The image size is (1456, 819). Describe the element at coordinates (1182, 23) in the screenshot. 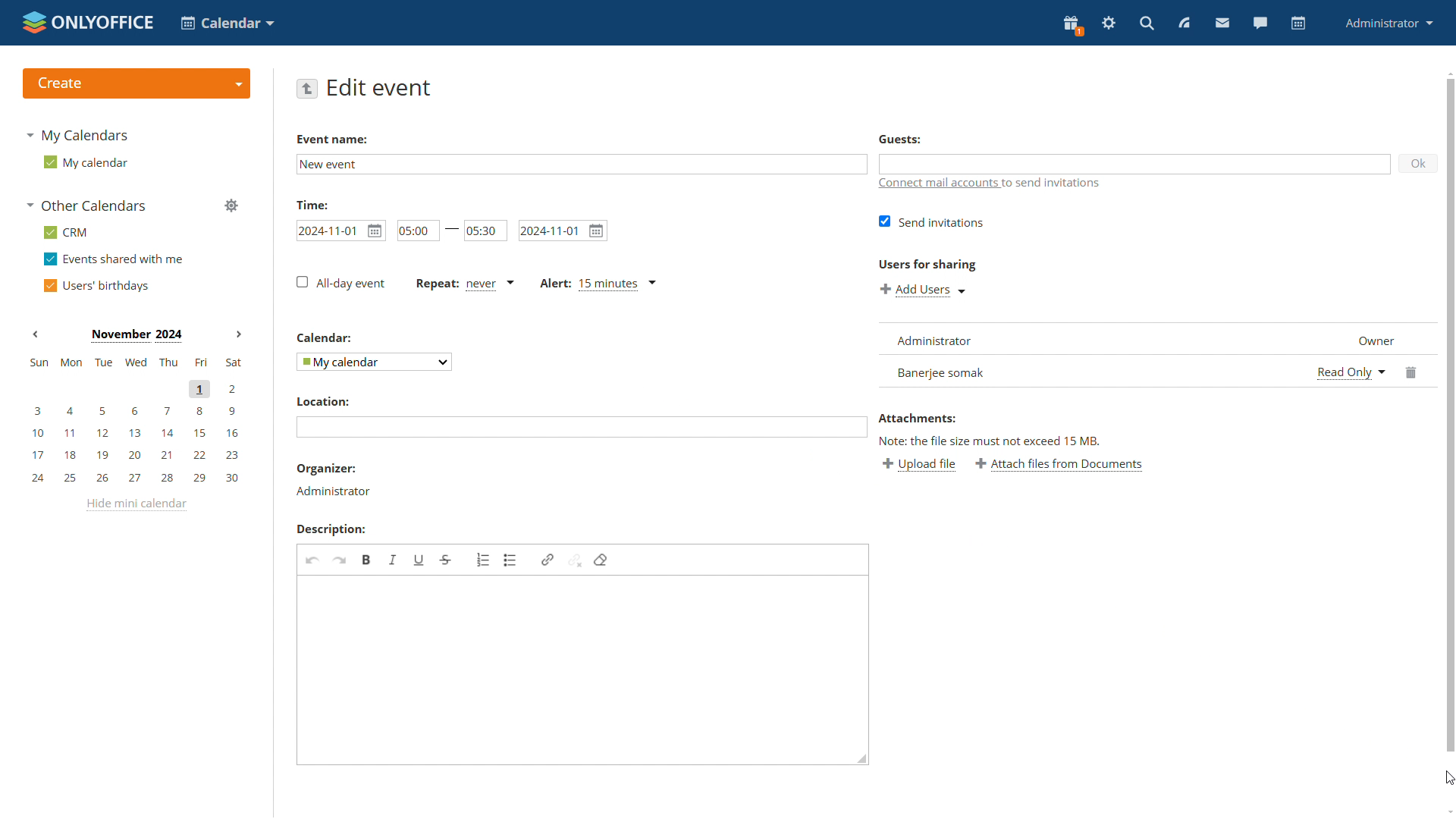

I see `feed` at that location.